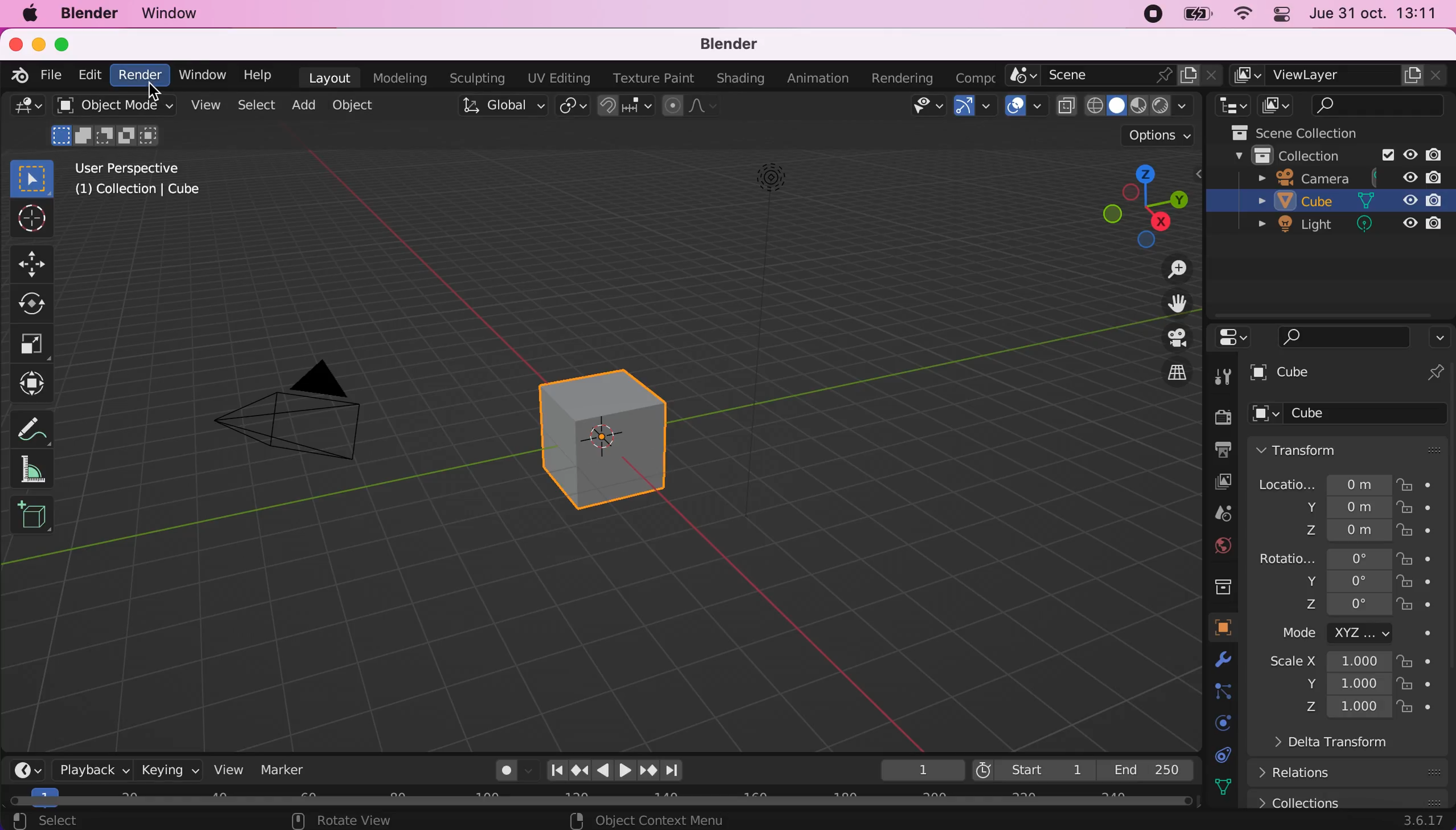 The image size is (1456, 830). Describe the element at coordinates (1168, 270) in the screenshot. I see `zoom in/out` at that location.